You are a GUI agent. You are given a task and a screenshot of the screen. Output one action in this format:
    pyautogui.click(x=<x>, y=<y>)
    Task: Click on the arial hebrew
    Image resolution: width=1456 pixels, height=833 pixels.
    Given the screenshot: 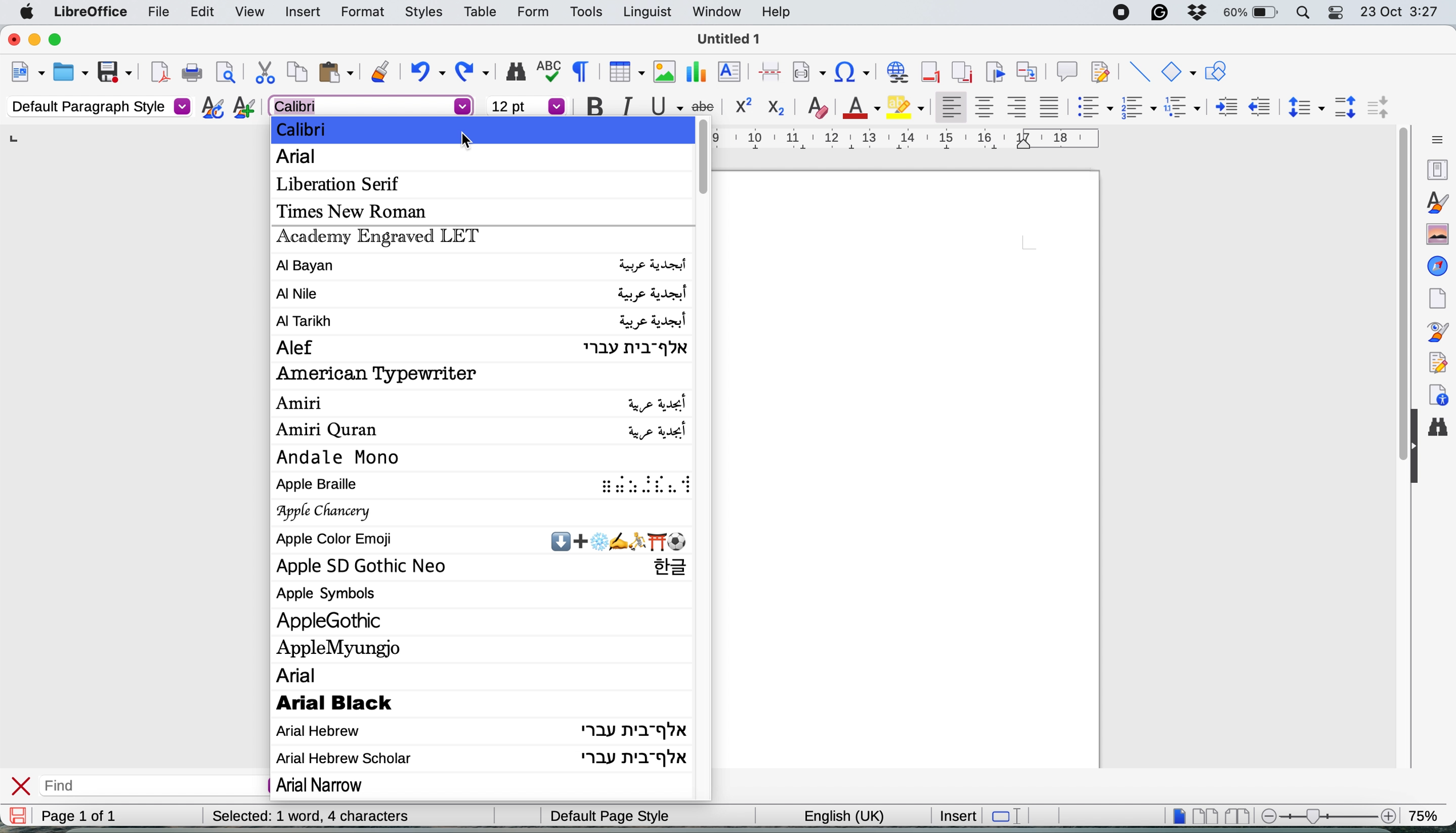 What is the action you would take?
    pyautogui.click(x=480, y=730)
    